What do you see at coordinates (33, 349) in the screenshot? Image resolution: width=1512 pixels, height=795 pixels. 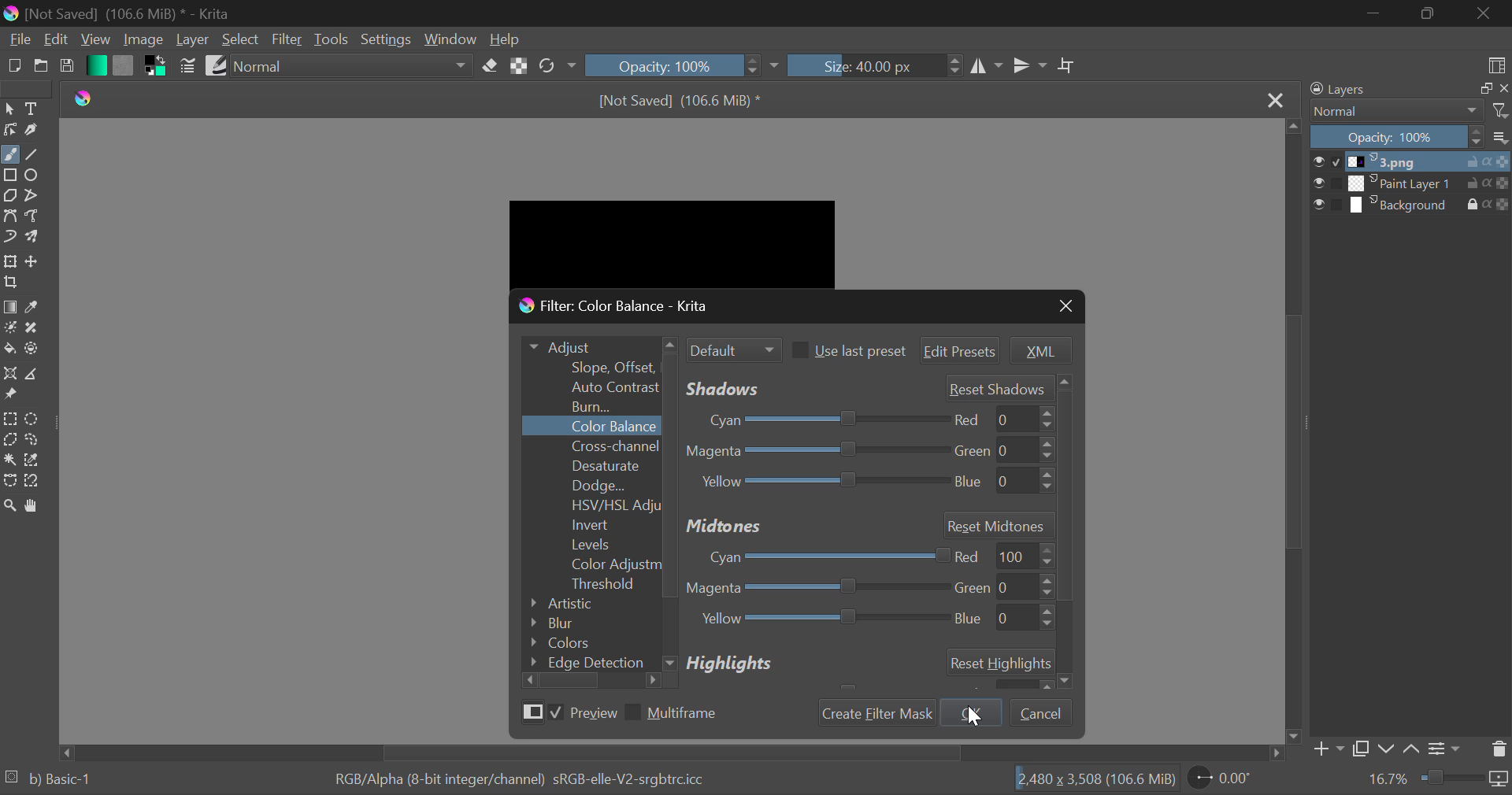 I see `Enclose and Fill` at bounding box center [33, 349].